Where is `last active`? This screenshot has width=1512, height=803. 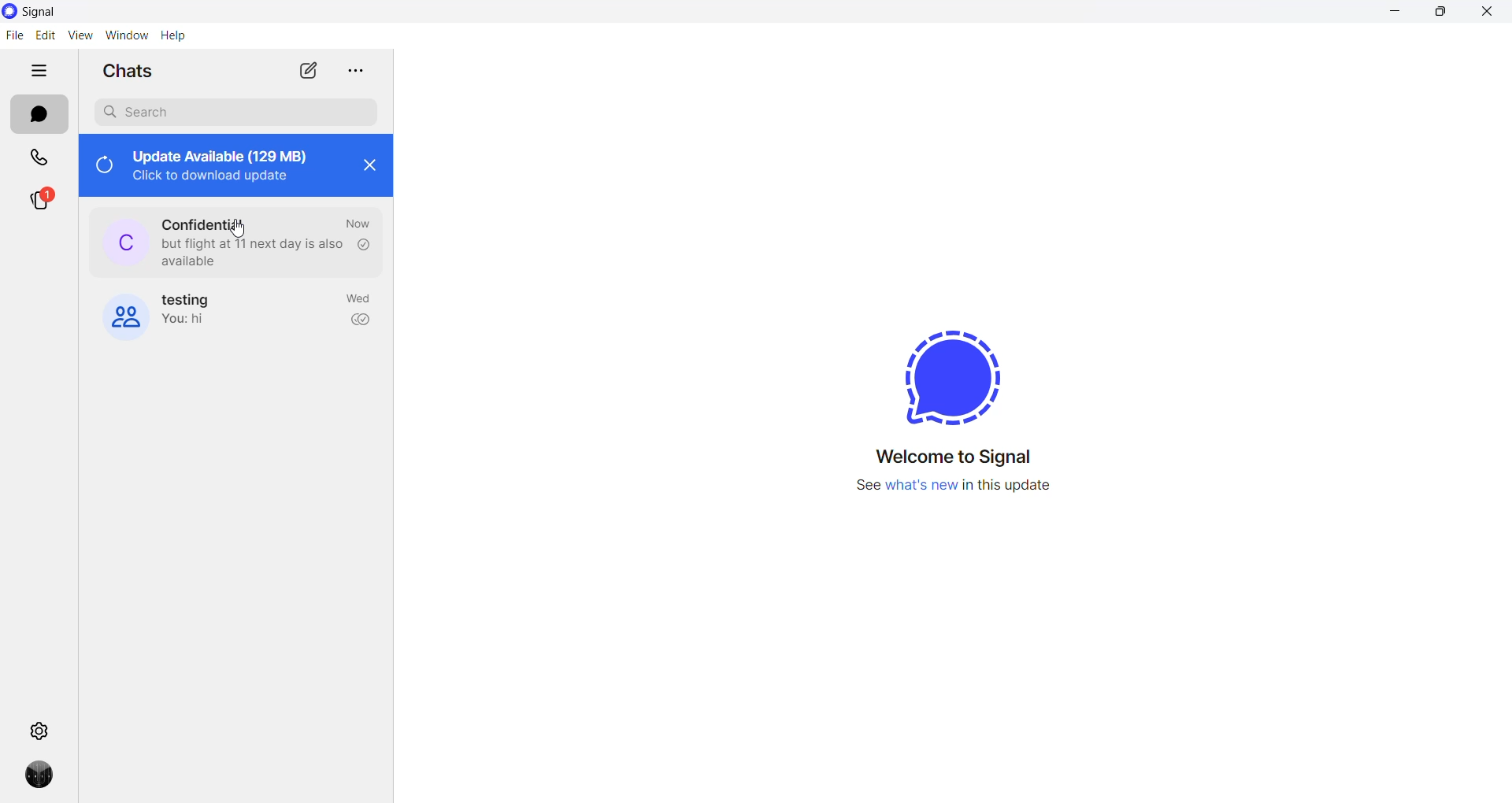 last active is located at coordinates (358, 224).